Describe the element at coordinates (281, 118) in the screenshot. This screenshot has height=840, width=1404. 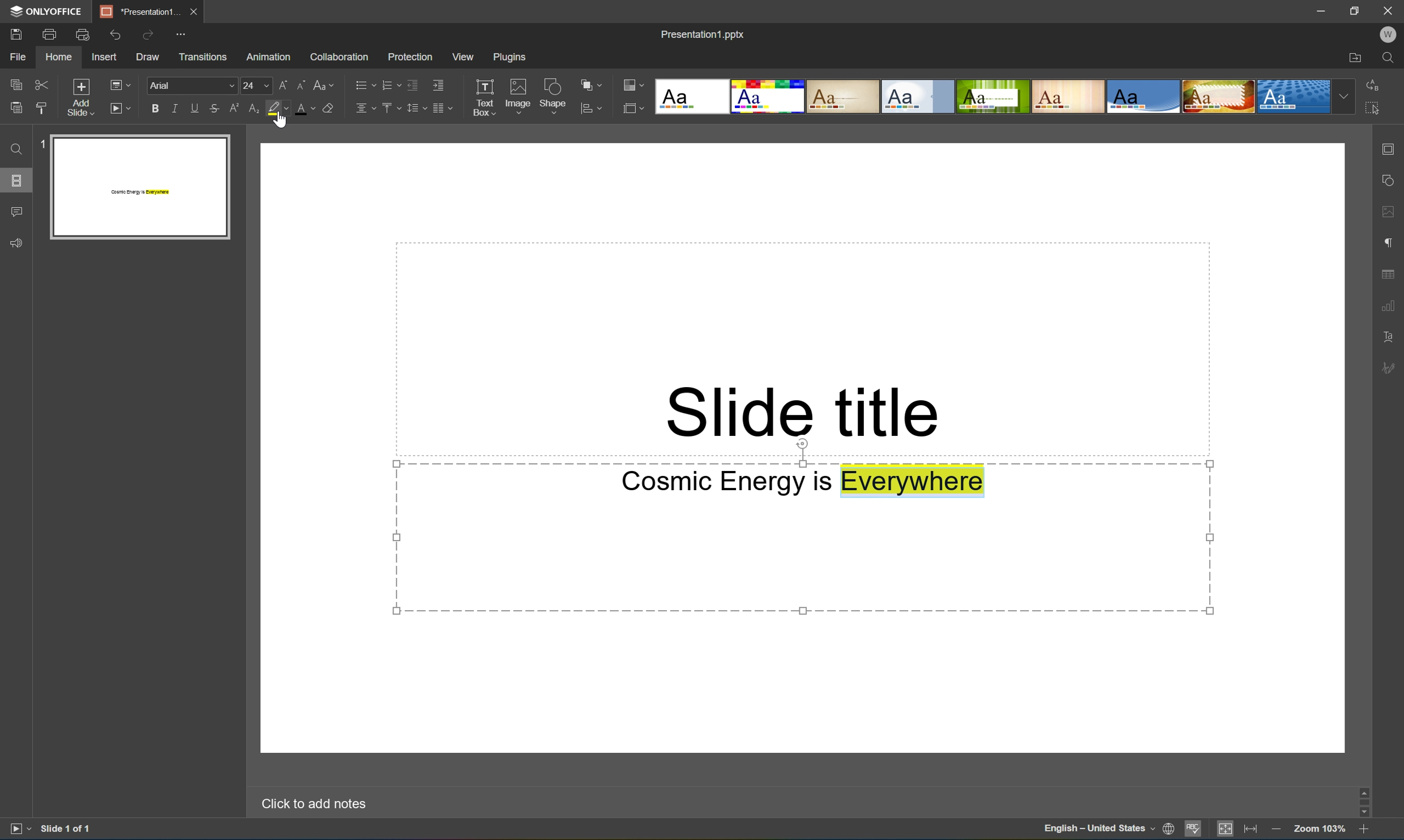
I see `Cursor` at that location.